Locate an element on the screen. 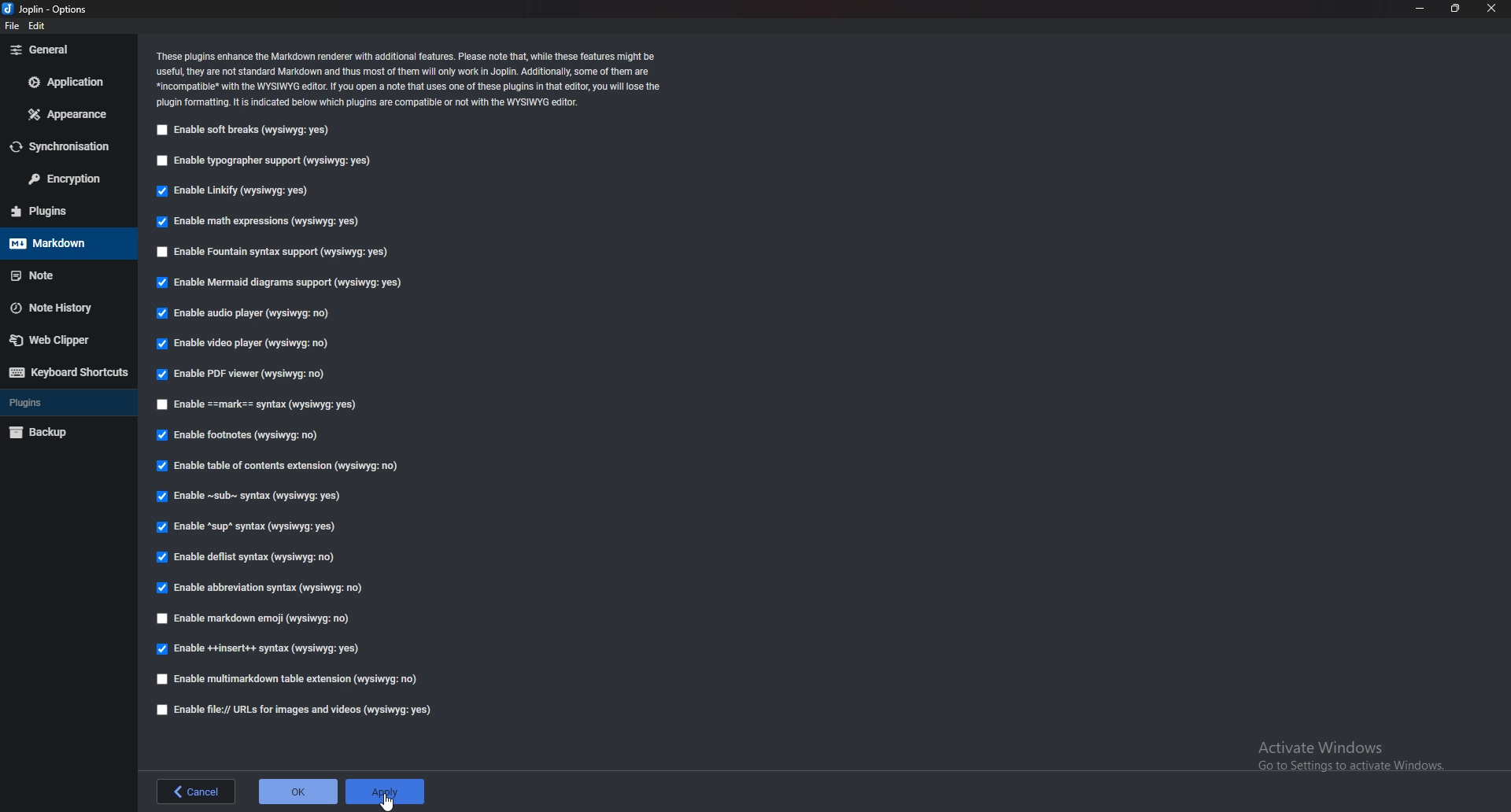 The height and width of the screenshot is (812, 1511). activate windows message advisory is located at coordinates (1349, 755).